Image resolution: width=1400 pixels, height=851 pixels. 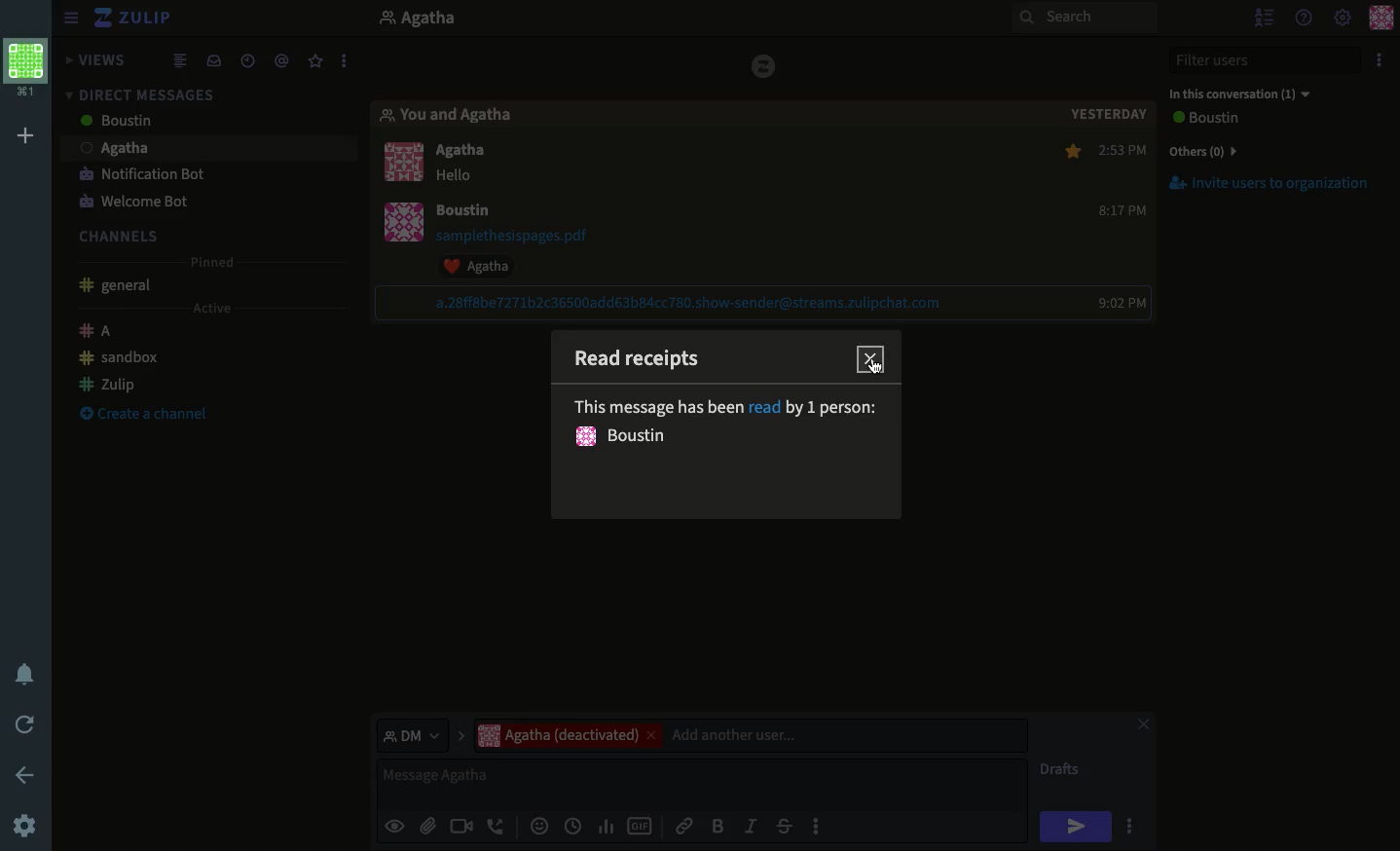 What do you see at coordinates (28, 722) in the screenshot?
I see `Refresh` at bounding box center [28, 722].